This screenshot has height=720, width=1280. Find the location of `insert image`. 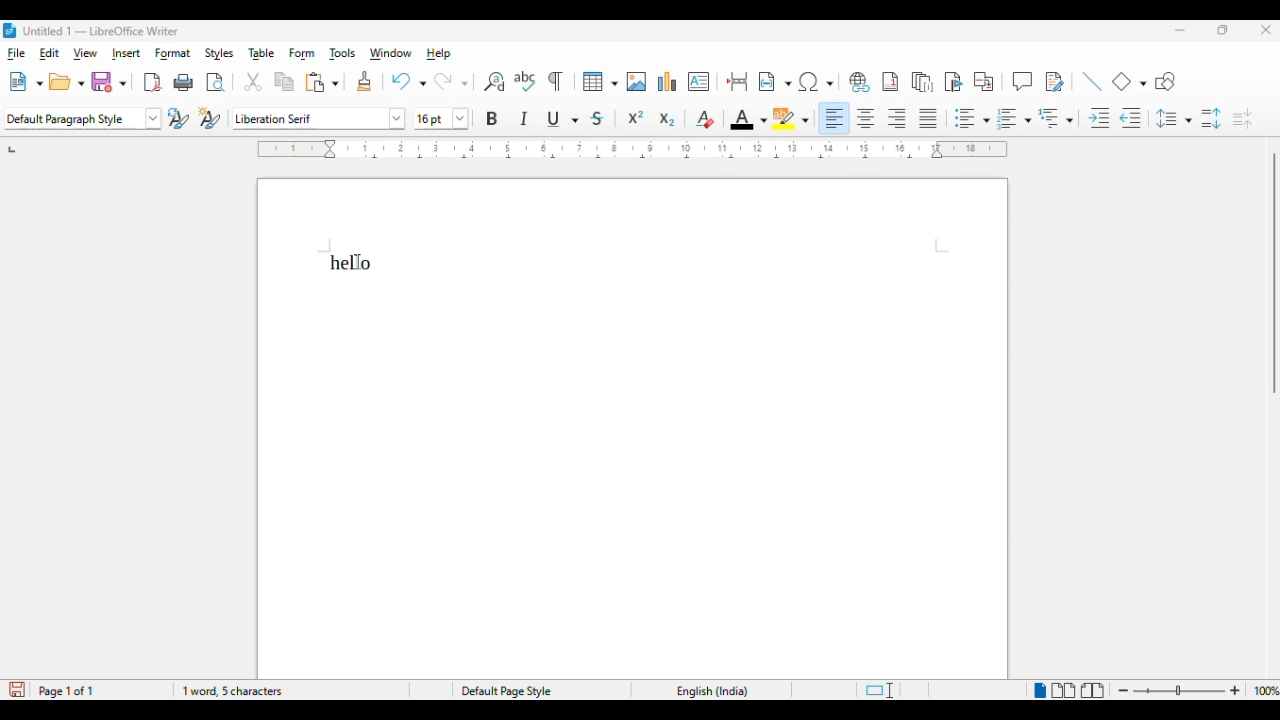

insert image is located at coordinates (637, 82).